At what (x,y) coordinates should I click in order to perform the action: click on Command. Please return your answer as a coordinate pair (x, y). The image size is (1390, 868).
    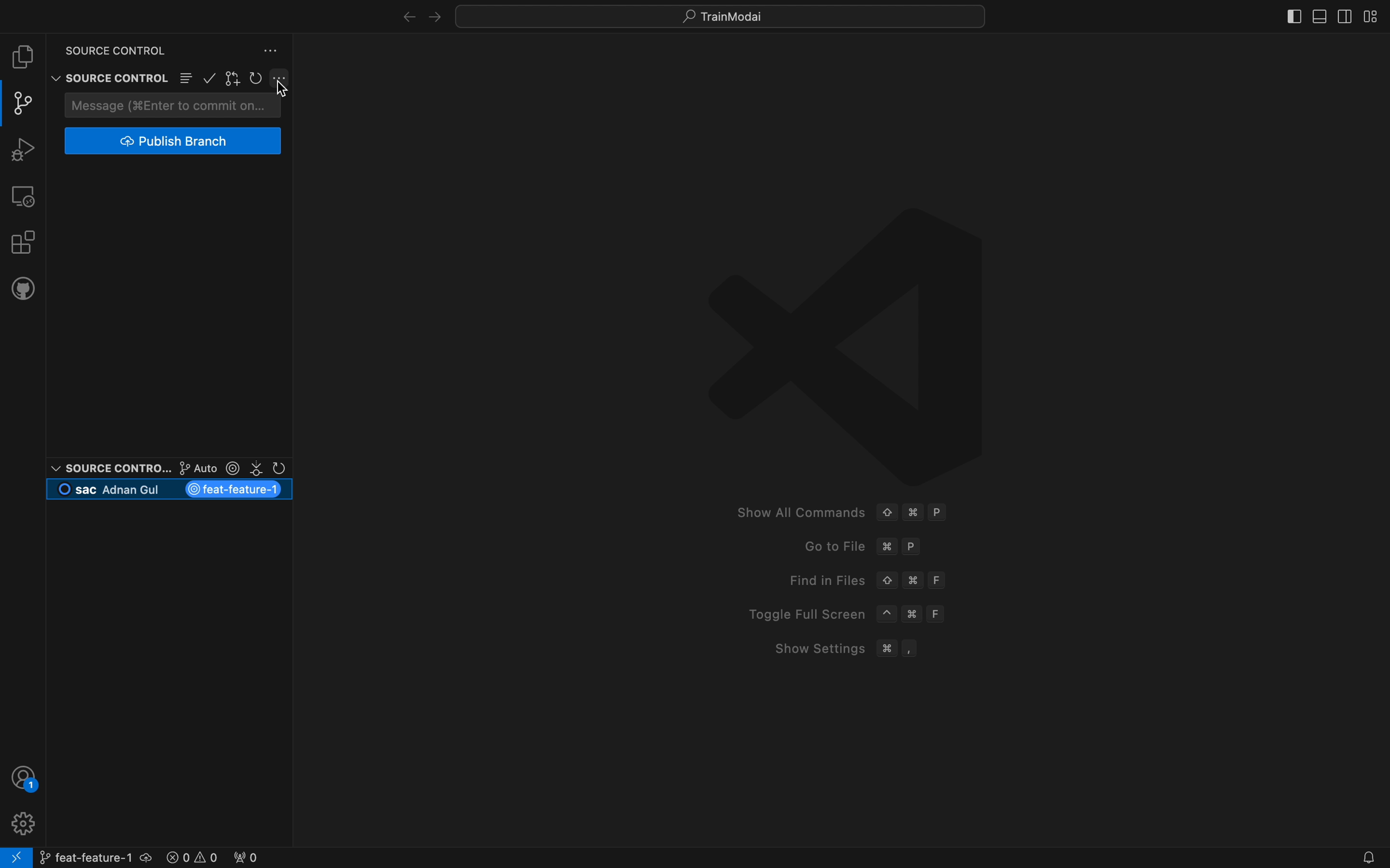
    Looking at the image, I should click on (913, 513).